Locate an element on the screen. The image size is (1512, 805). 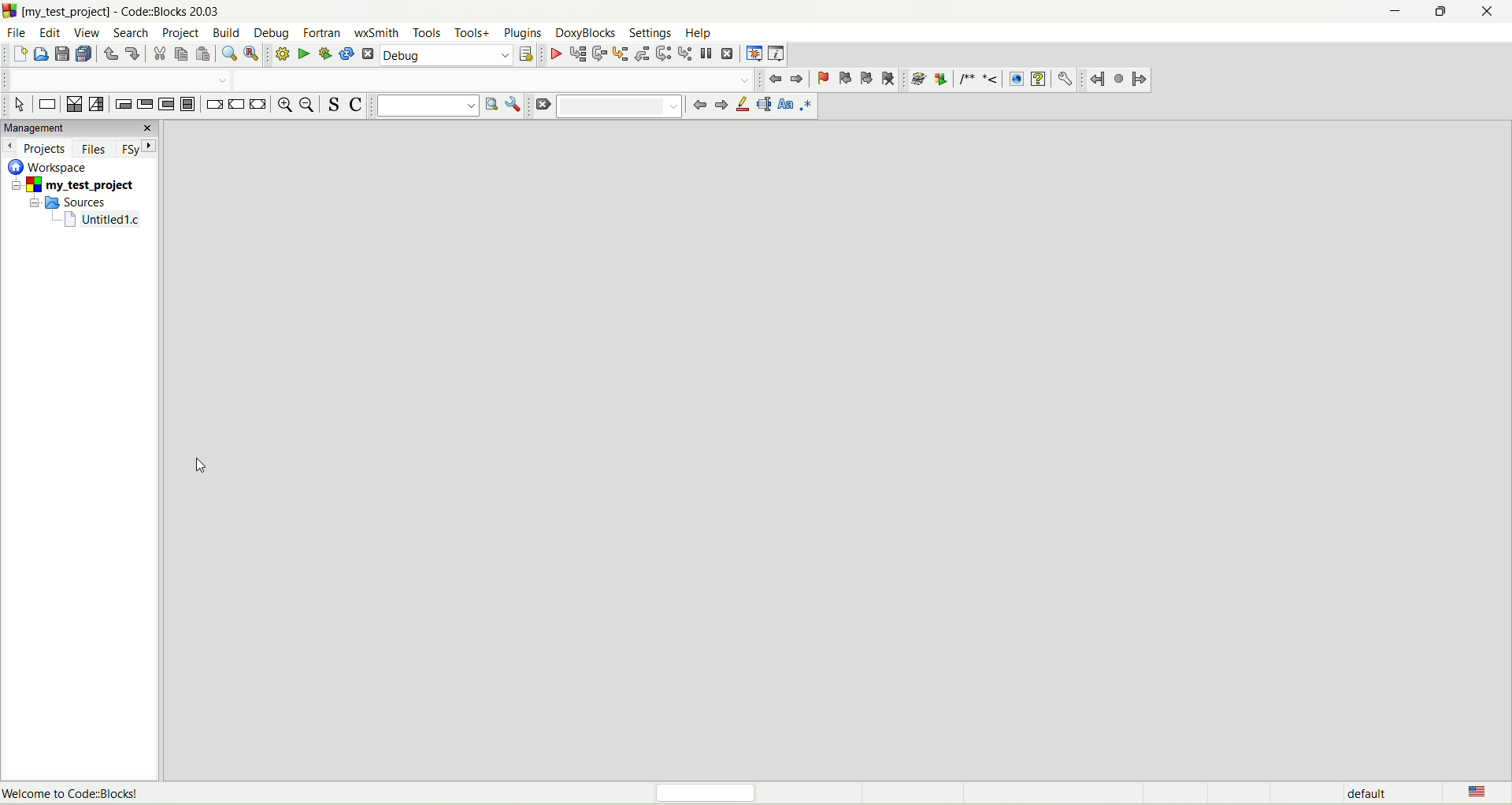
step into instruction is located at coordinates (686, 54).